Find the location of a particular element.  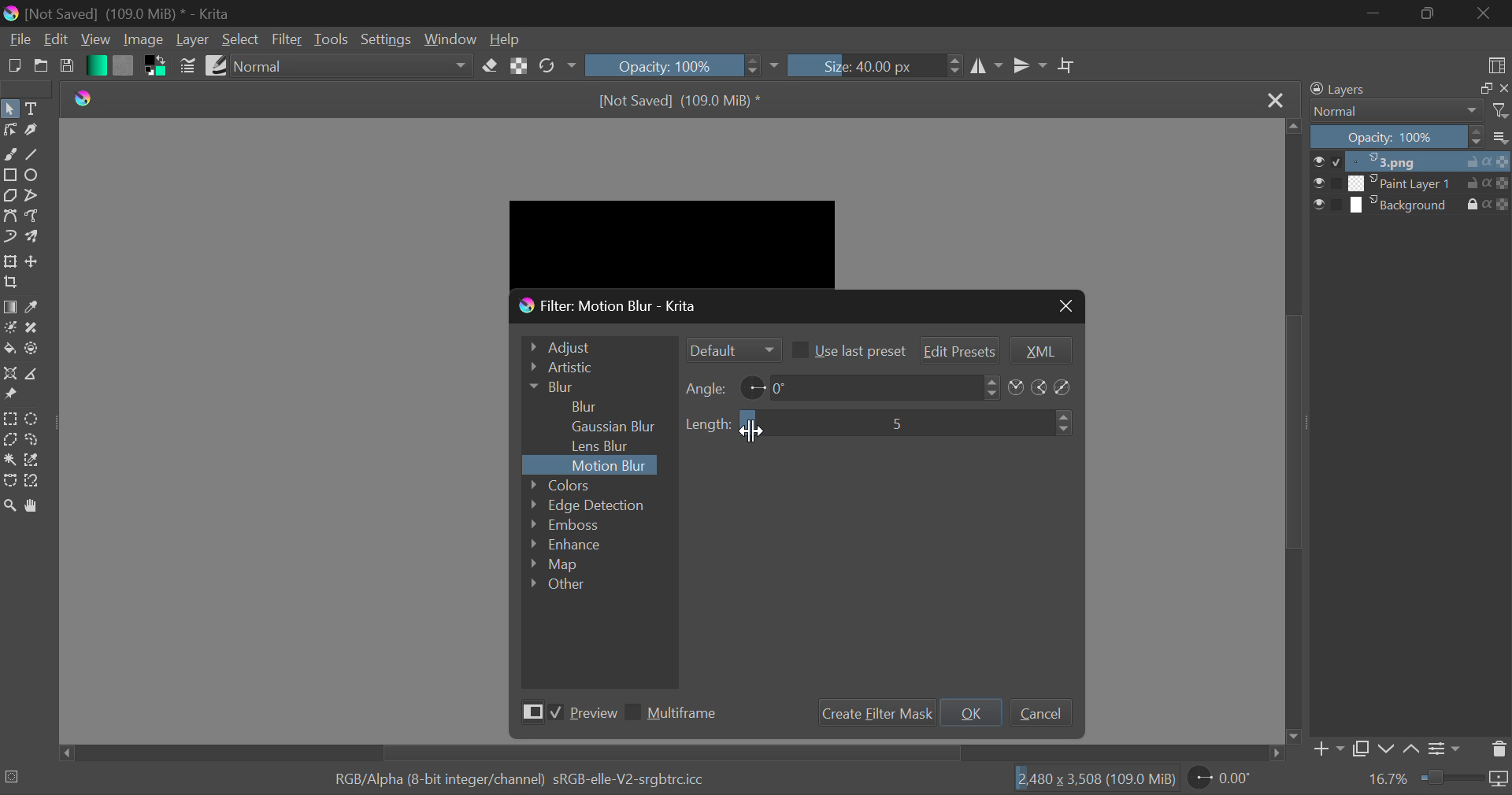

New is located at coordinates (13, 67).